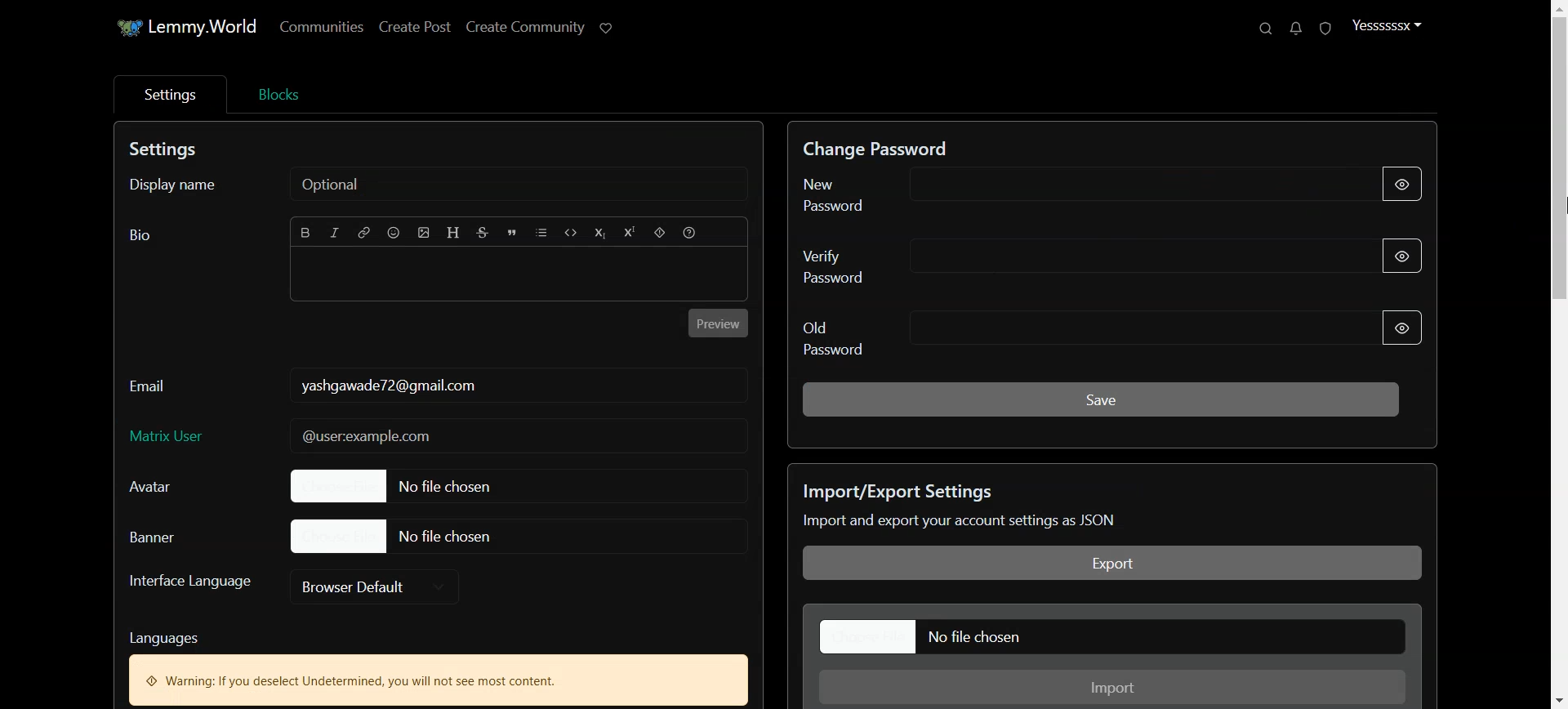  Describe the element at coordinates (1390, 27) in the screenshot. I see `Profile` at that location.